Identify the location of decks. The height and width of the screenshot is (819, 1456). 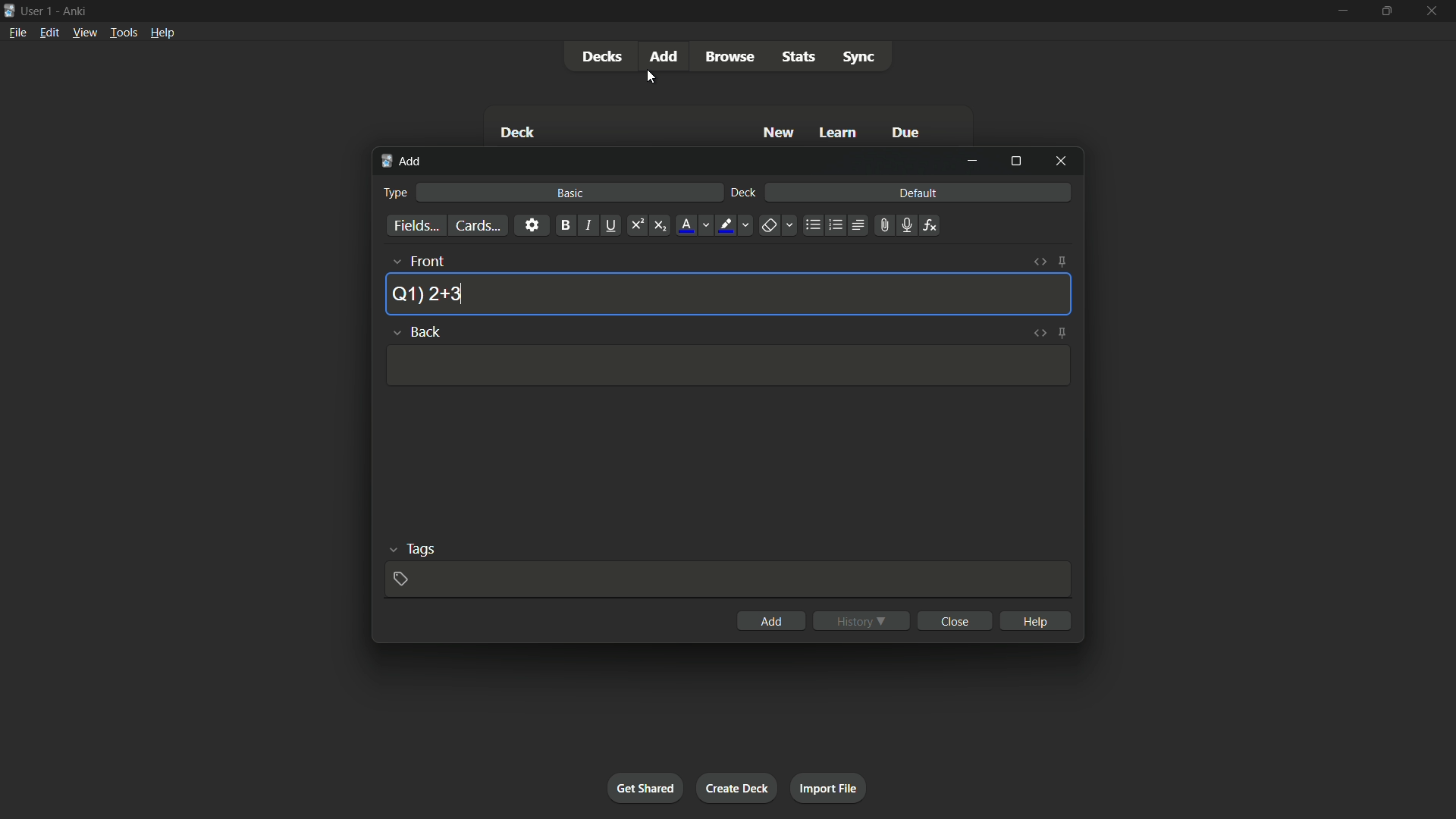
(601, 57).